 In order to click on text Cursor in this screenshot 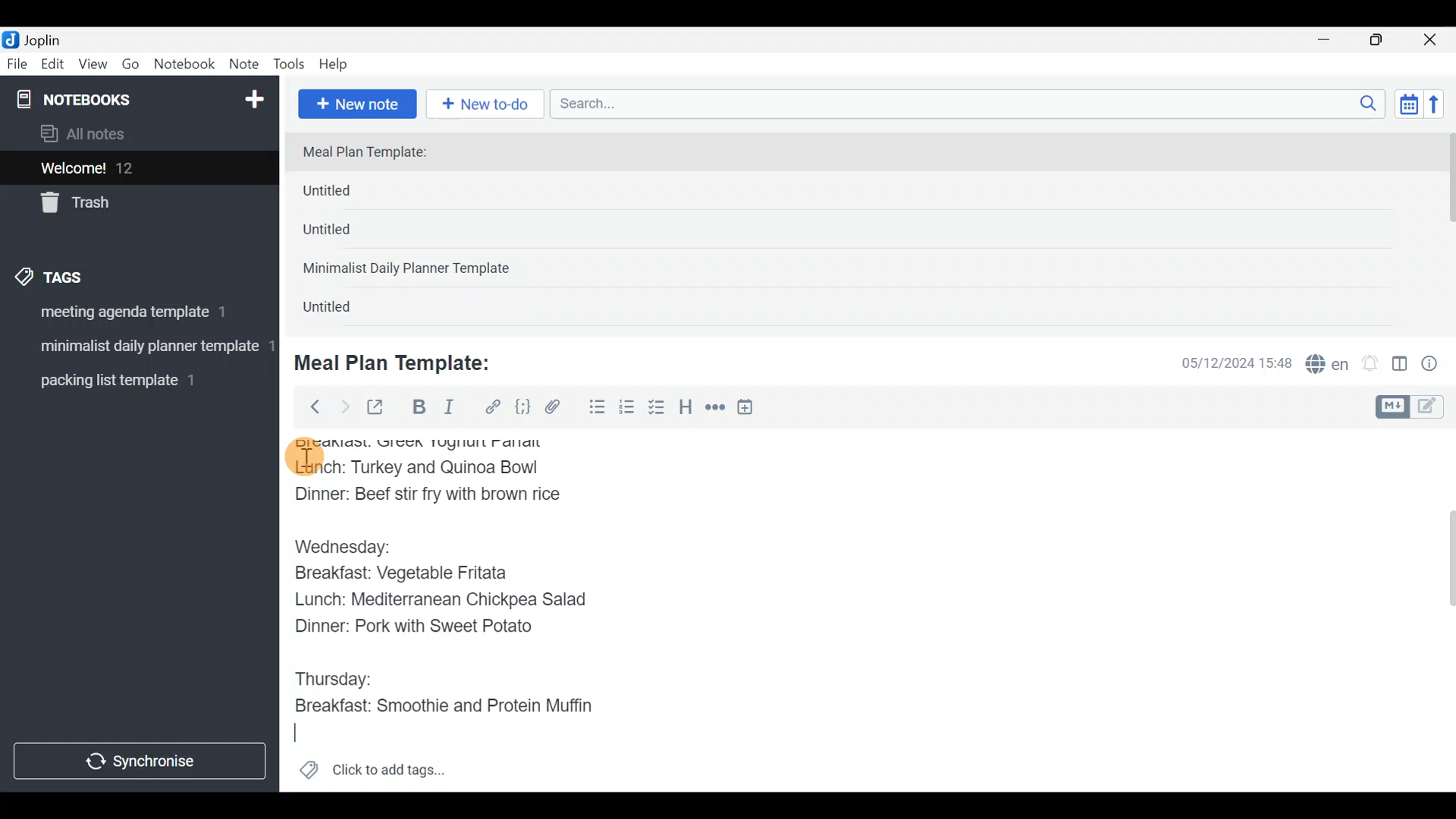, I will do `click(304, 735)`.